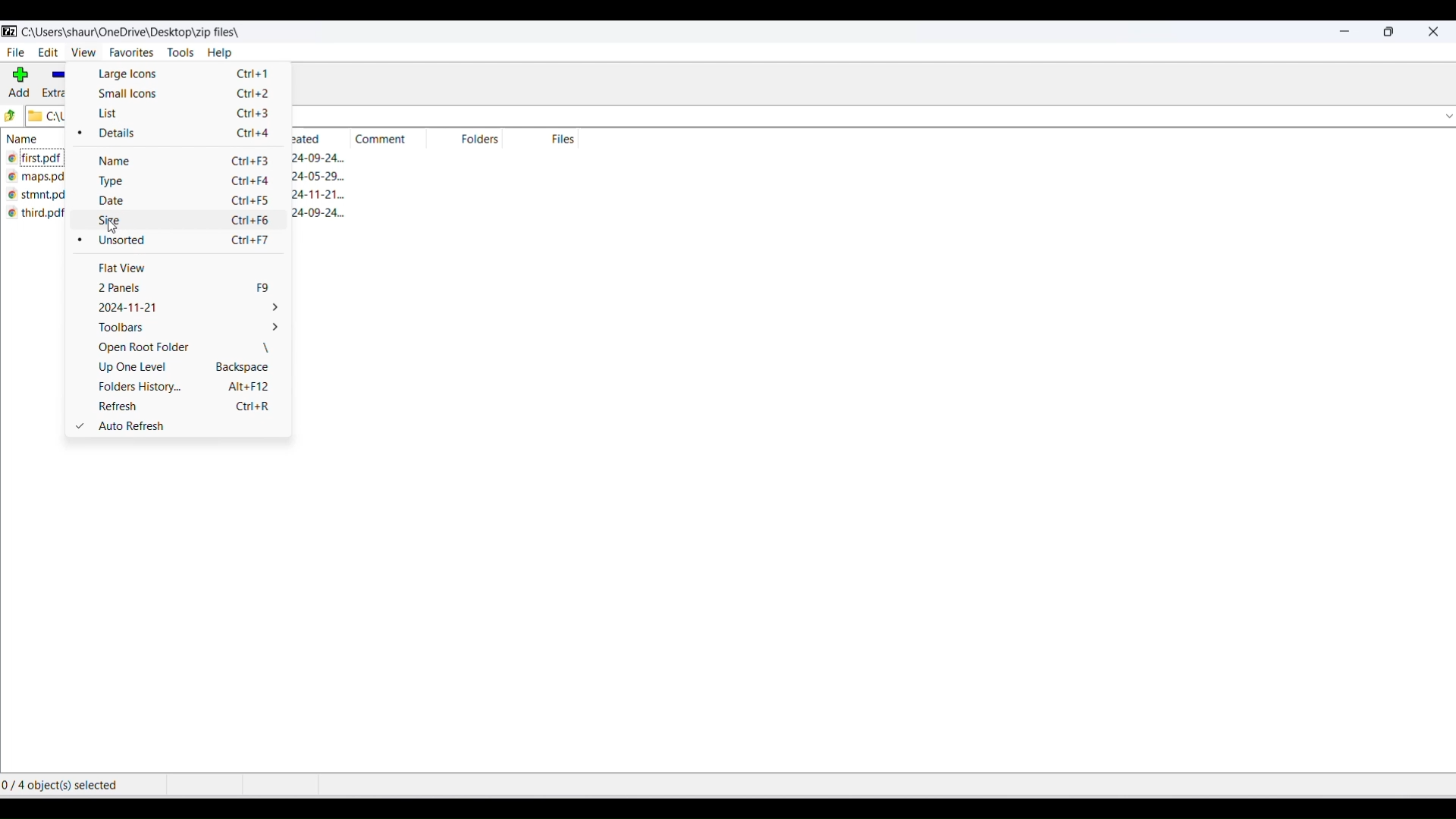 Image resolution: width=1456 pixels, height=819 pixels. What do you see at coordinates (42, 217) in the screenshot?
I see `file name` at bounding box center [42, 217].